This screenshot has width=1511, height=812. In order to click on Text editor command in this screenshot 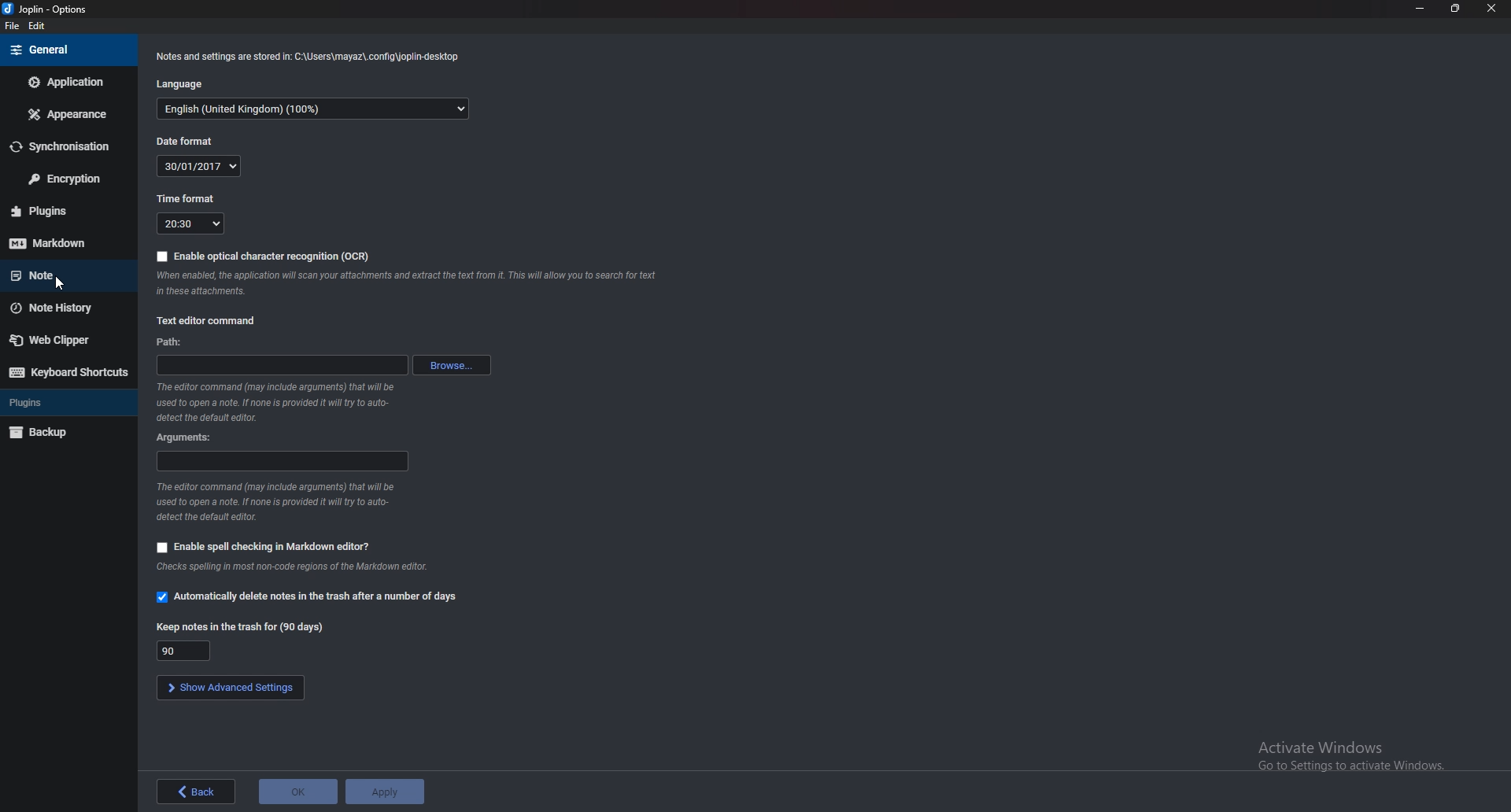, I will do `click(210, 320)`.